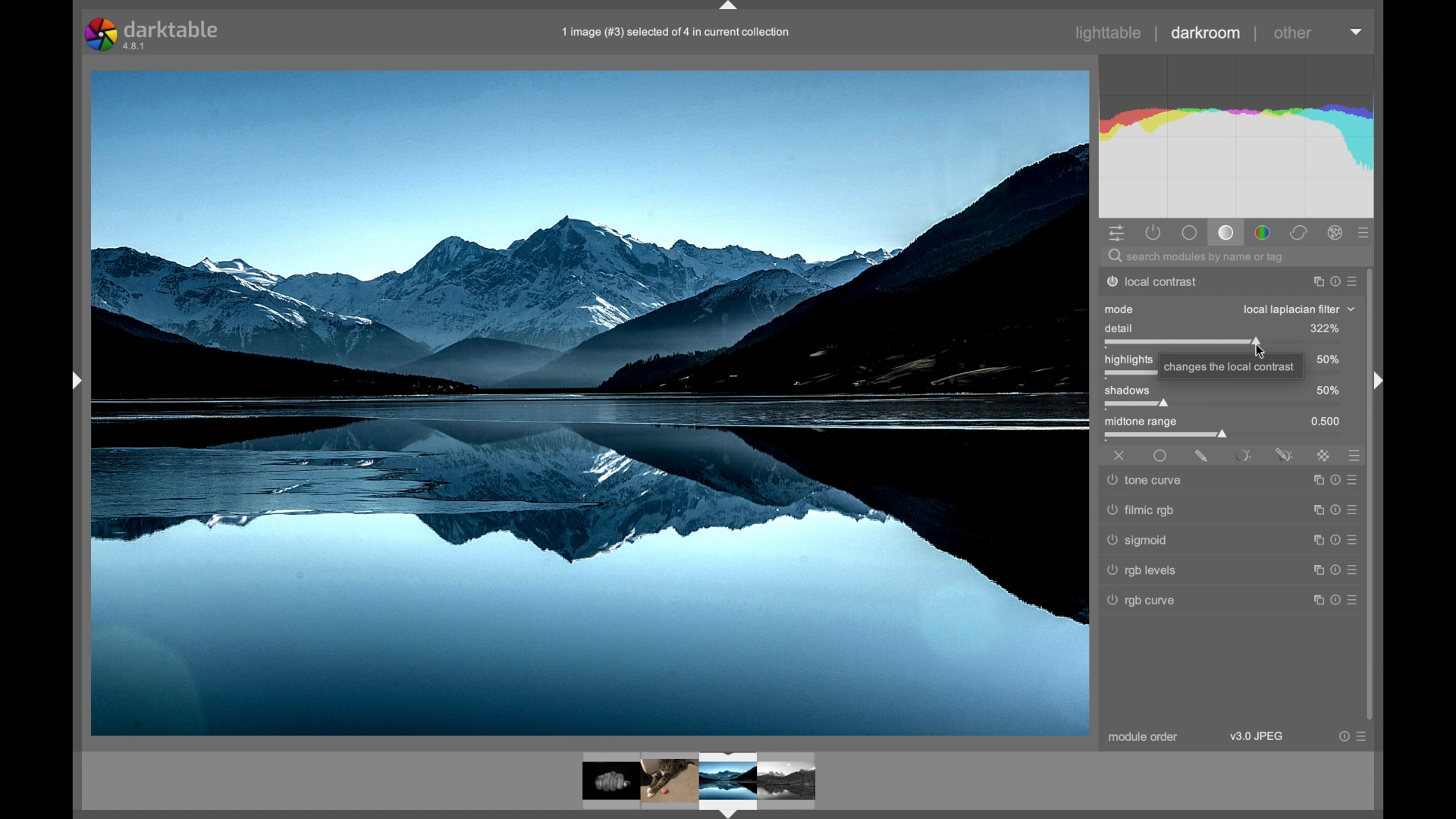  I want to click on presets, so click(1357, 455).